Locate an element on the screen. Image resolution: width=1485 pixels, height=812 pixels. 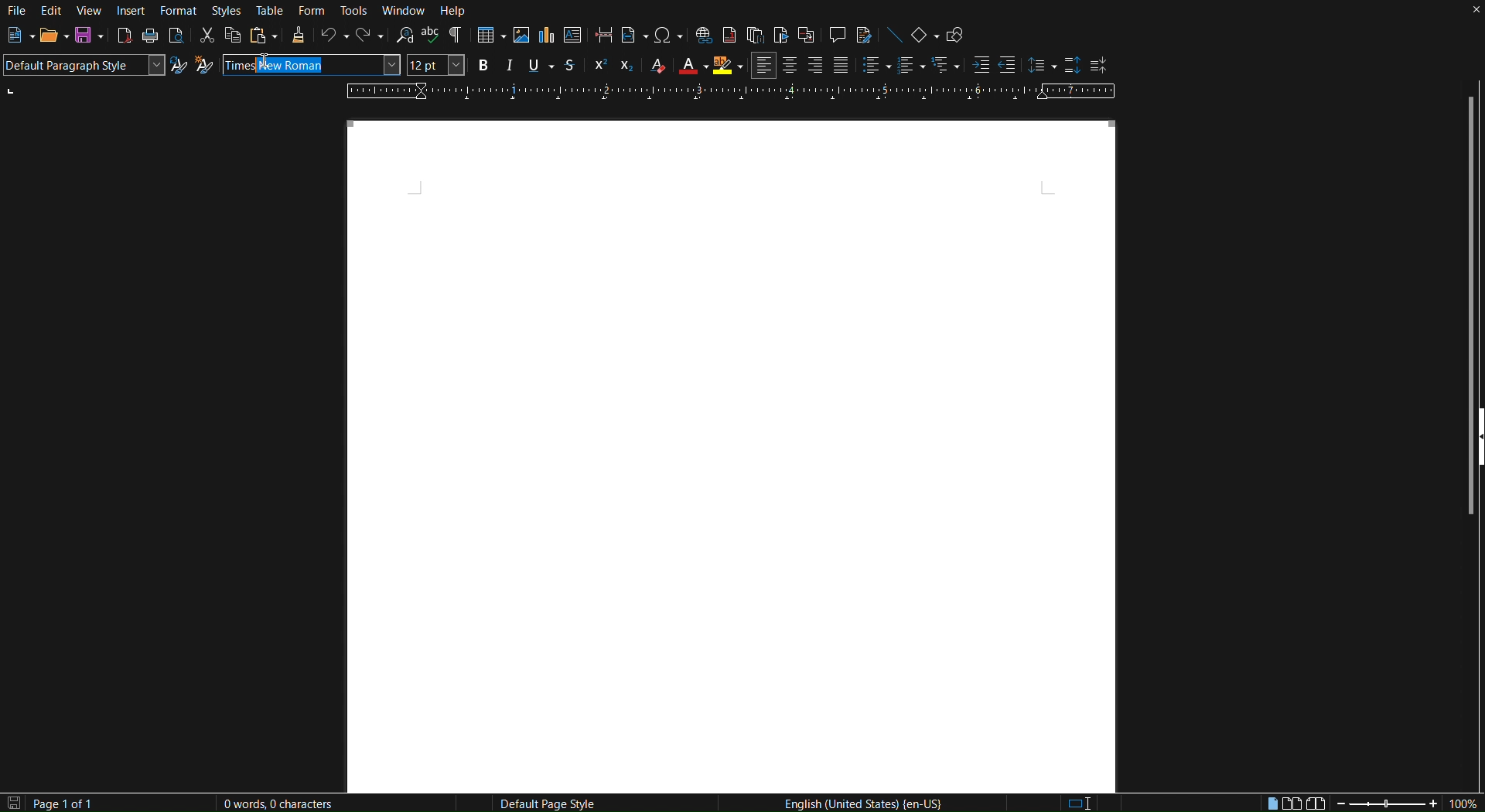
Font name is located at coordinates (377, 66).